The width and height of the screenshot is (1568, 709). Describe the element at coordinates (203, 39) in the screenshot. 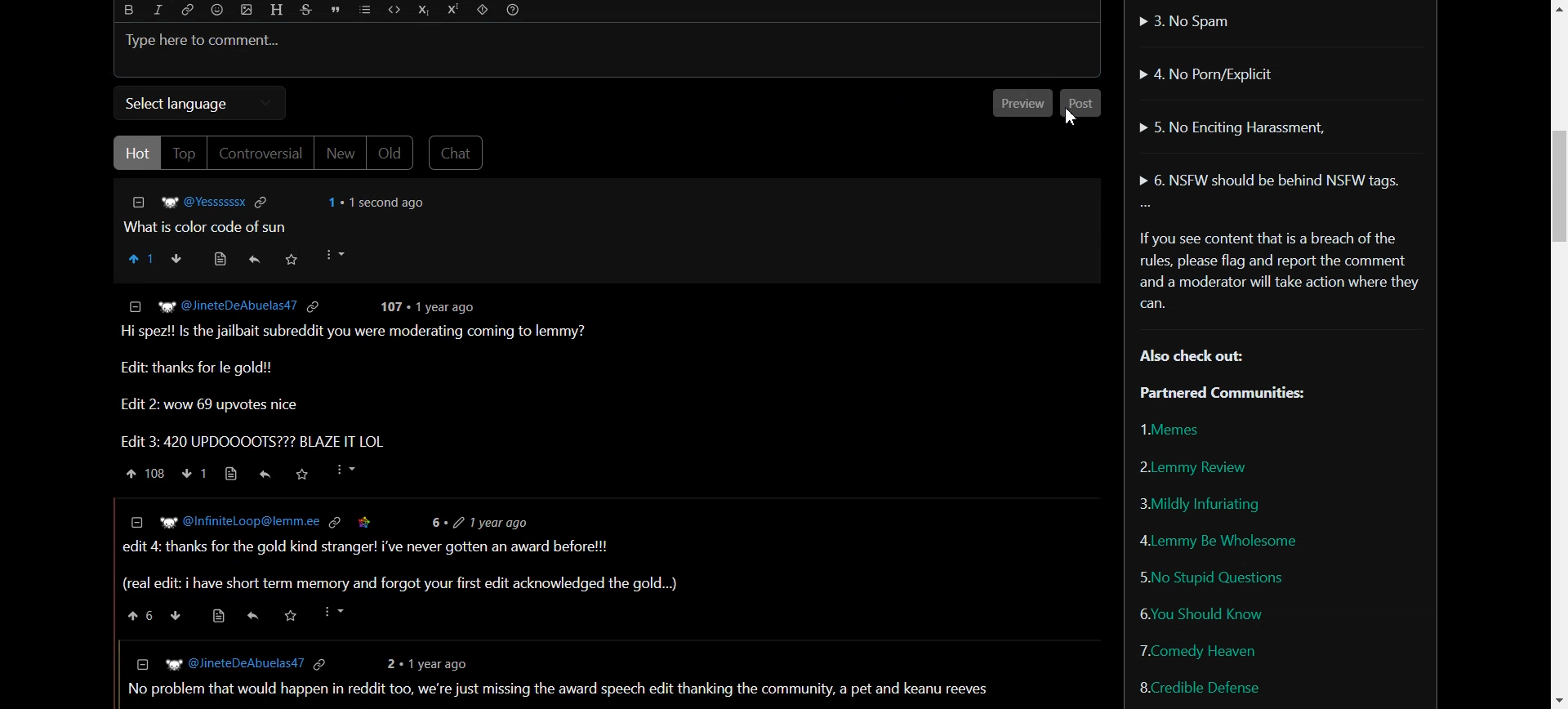

I see `Text` at that location.